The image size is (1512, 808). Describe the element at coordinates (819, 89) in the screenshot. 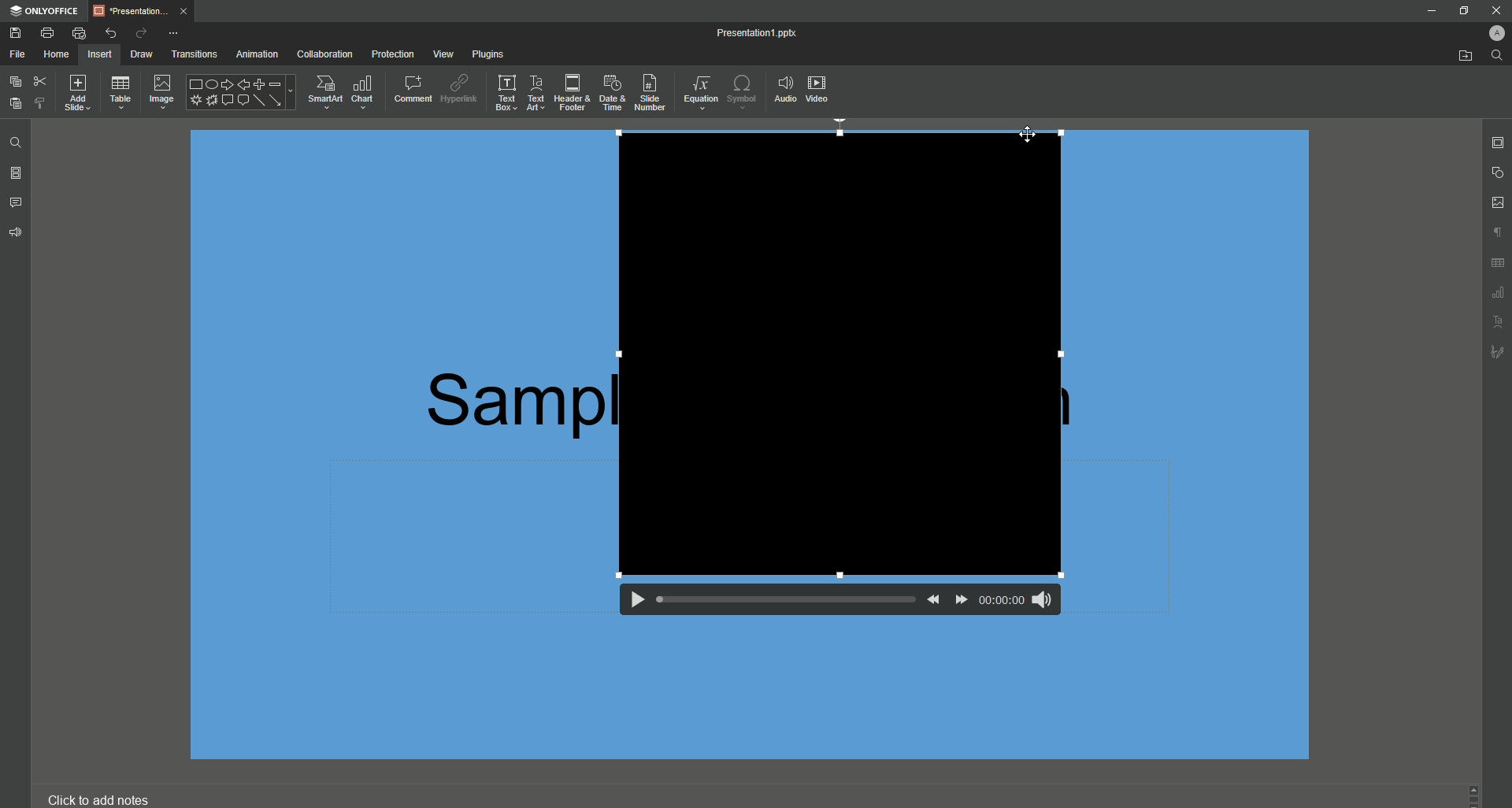

I see `Video` at that location.